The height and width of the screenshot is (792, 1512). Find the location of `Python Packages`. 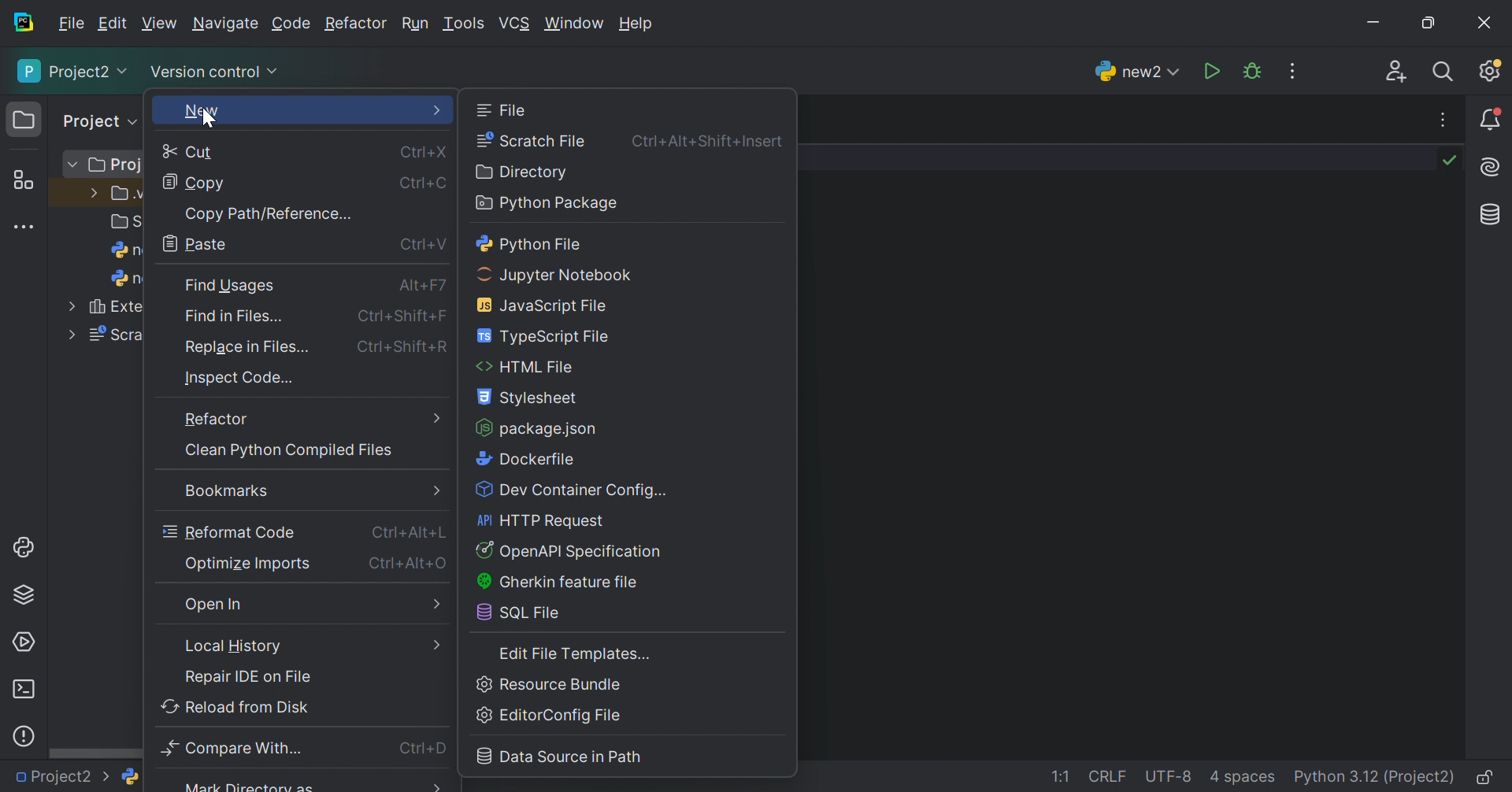

Python Packages is located at coordinates (24, 597).